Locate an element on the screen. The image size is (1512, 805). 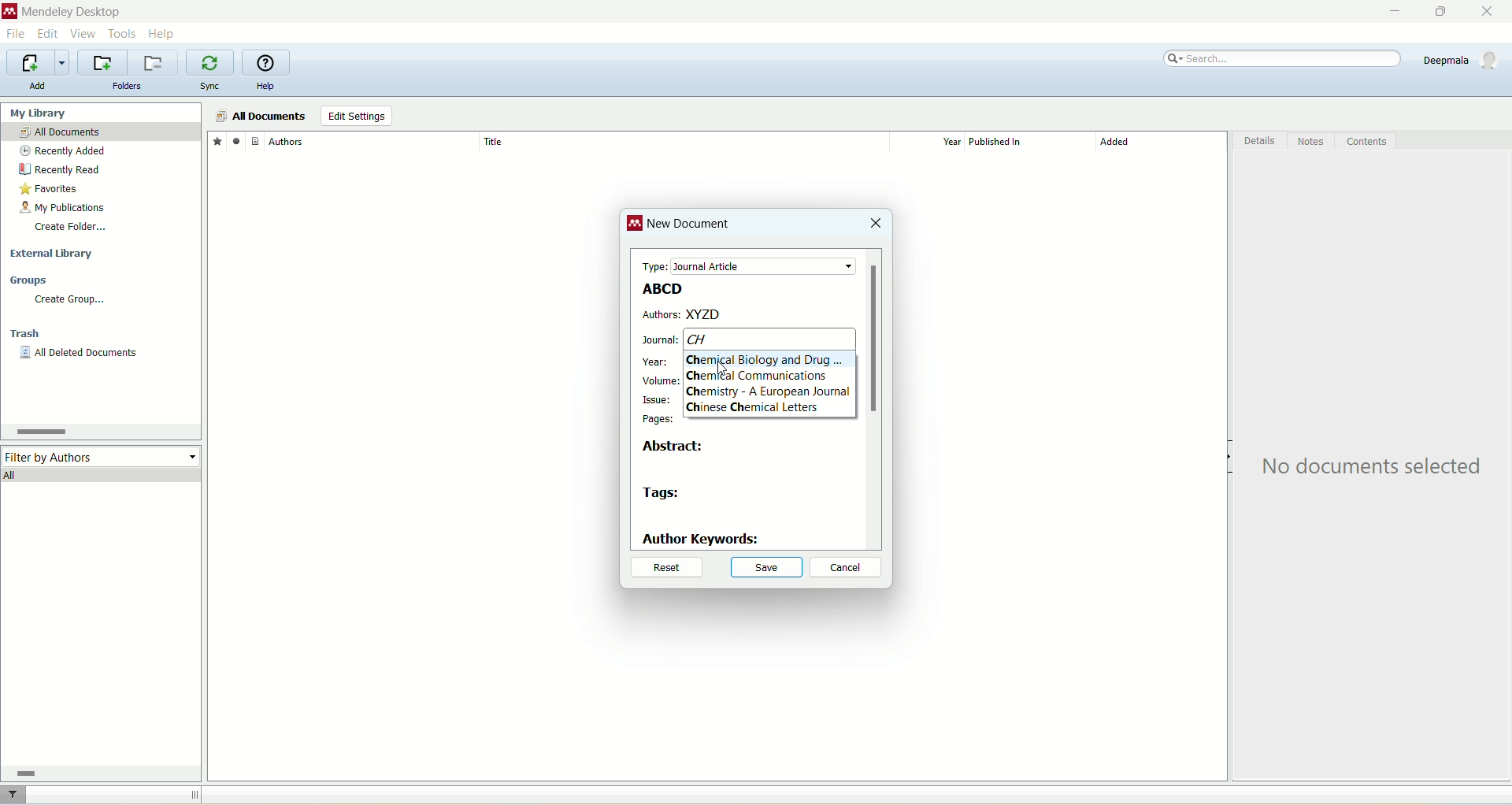
favorites is located at coordinates (217, 140).